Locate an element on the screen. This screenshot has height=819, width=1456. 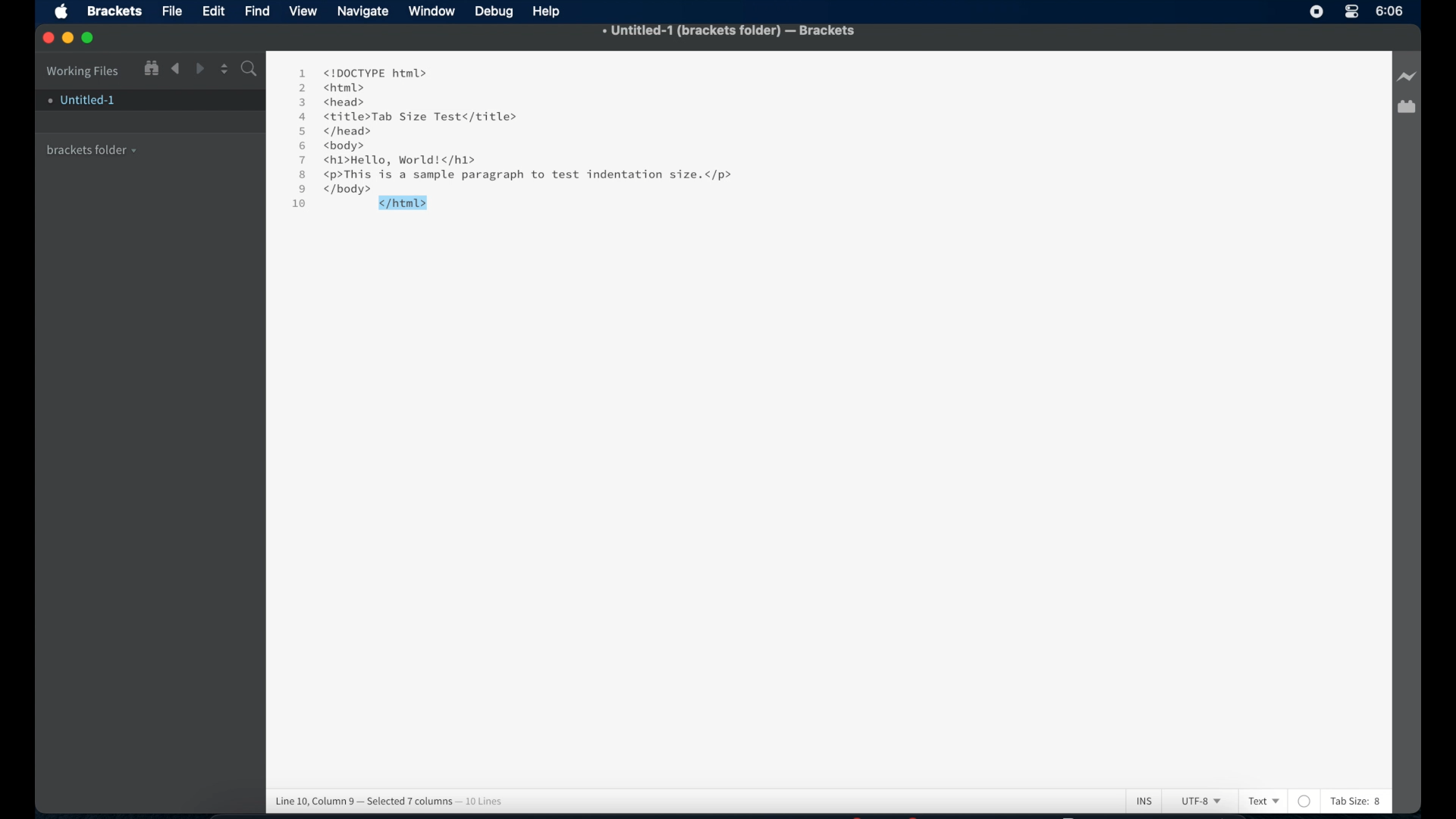
Navigate is located at coordinates (363, 13).